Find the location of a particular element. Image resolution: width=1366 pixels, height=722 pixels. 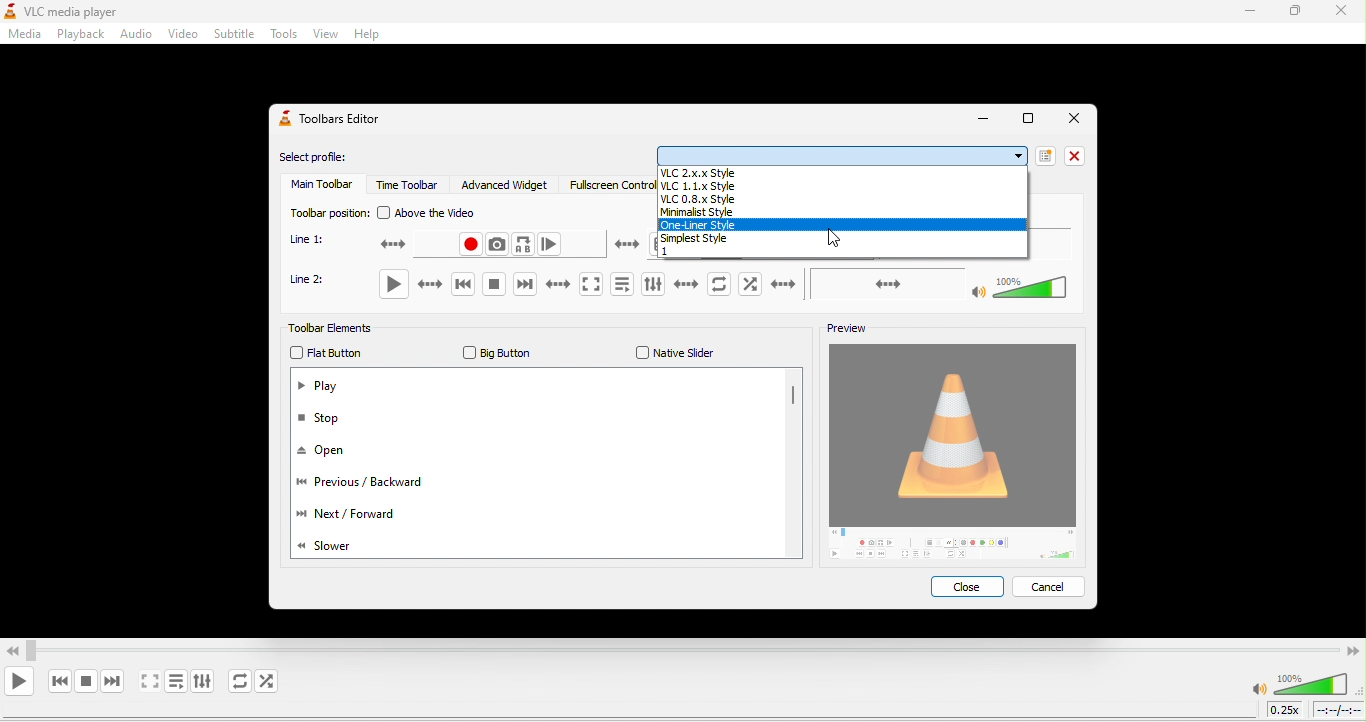

loop from point a to point b is located at coordinates (525, 244).